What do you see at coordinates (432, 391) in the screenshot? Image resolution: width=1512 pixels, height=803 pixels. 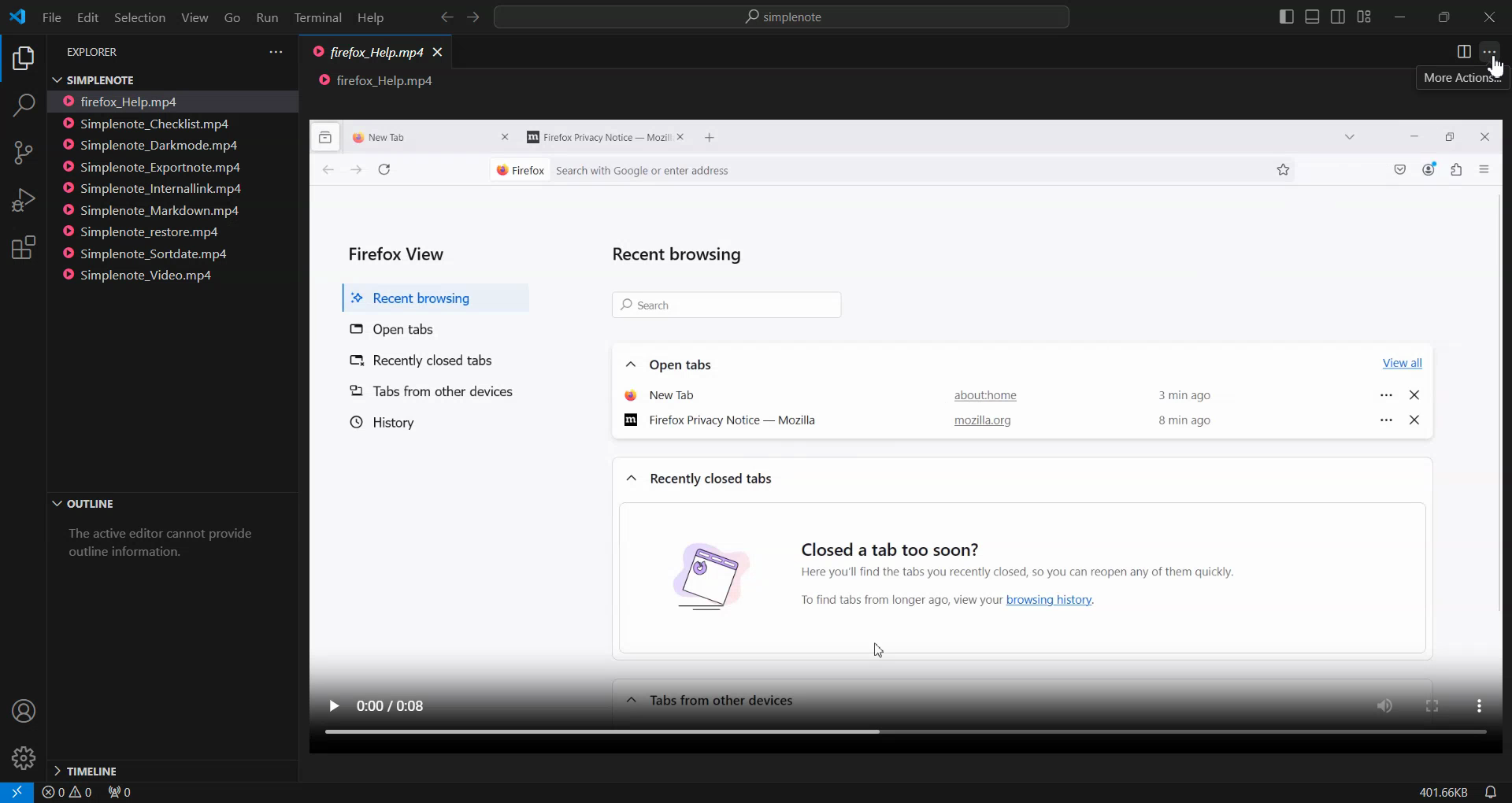 I see `Tabs from other devices` at bounding box center [432, 391].